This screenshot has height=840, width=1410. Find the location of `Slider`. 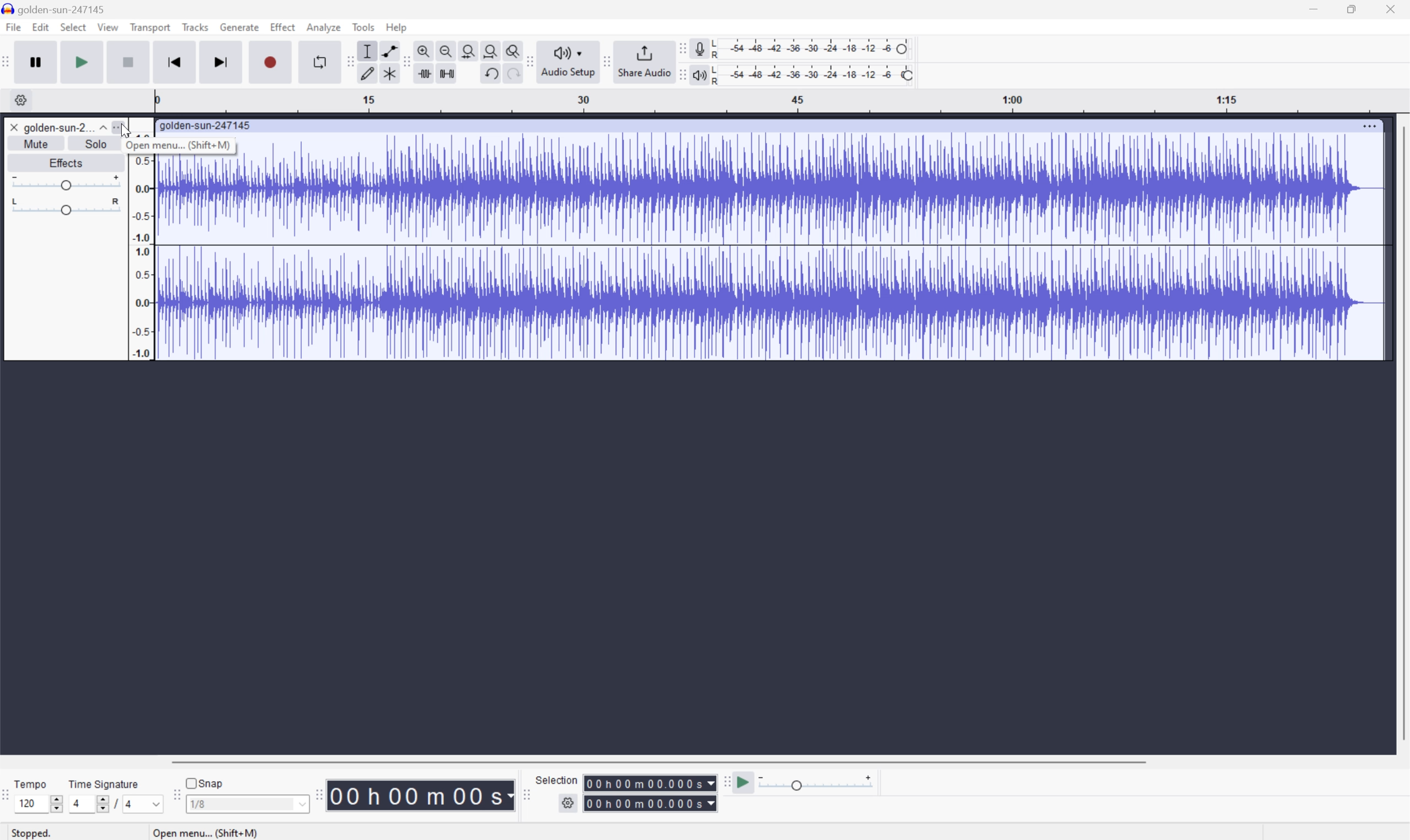

Slider is located at coordinates (100, 803).